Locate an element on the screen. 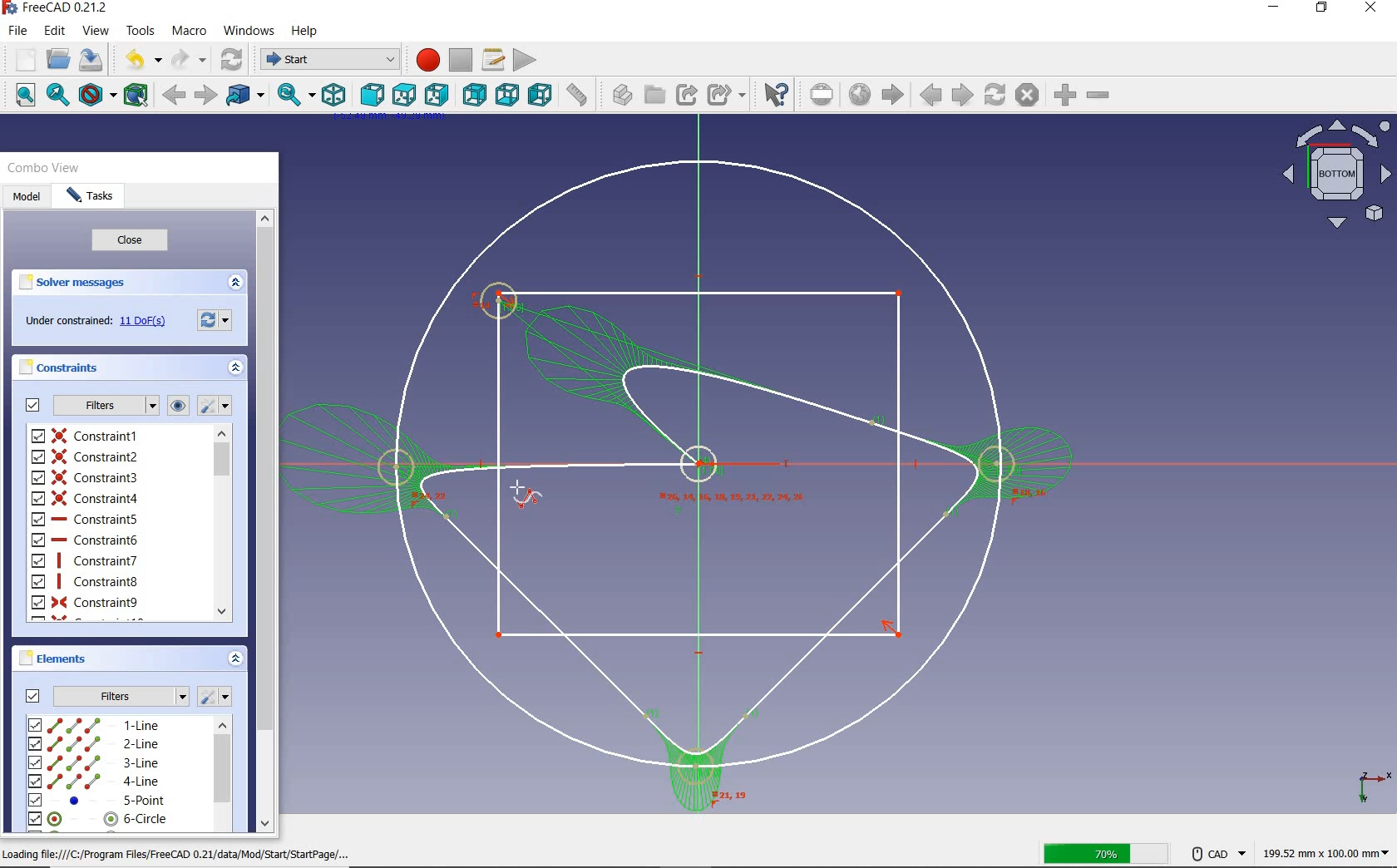  macros is located at coordinates (492, 60).